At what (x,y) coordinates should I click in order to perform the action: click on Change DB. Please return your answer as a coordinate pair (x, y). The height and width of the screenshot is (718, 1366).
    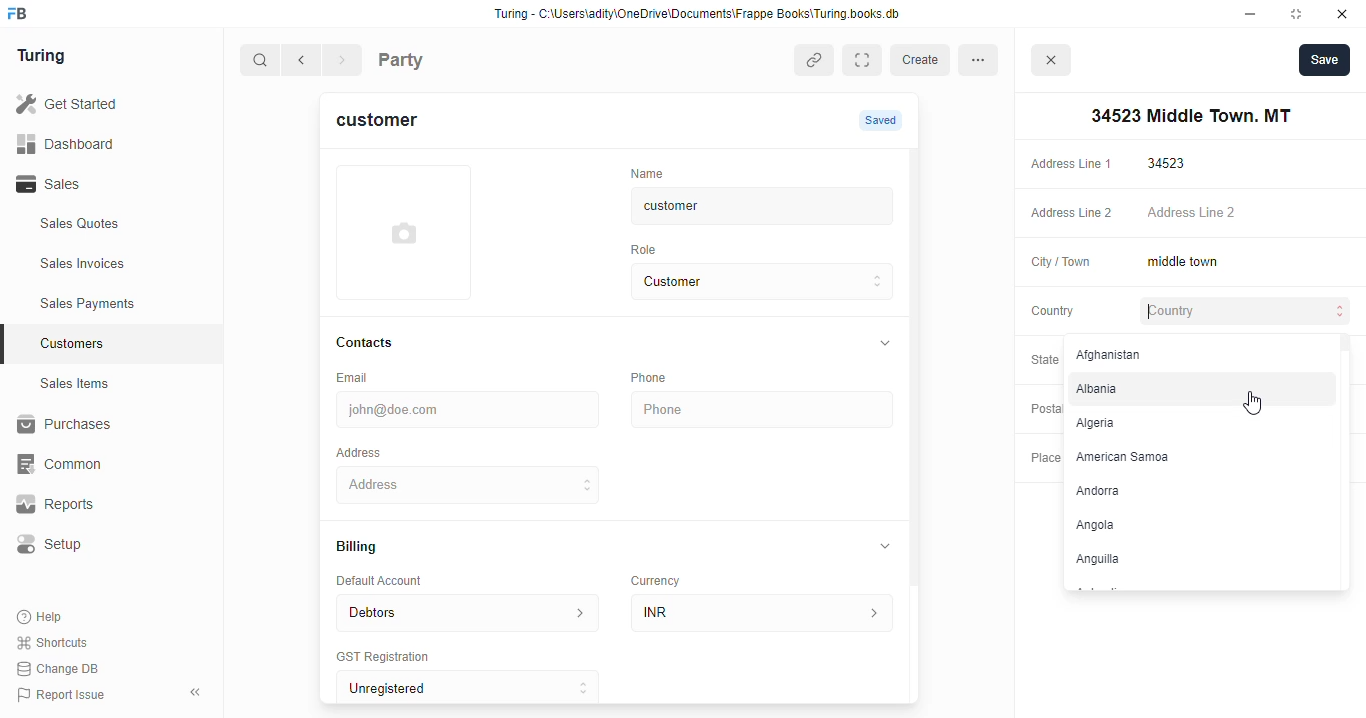
    Looking at the image, I should click on (62, 668).